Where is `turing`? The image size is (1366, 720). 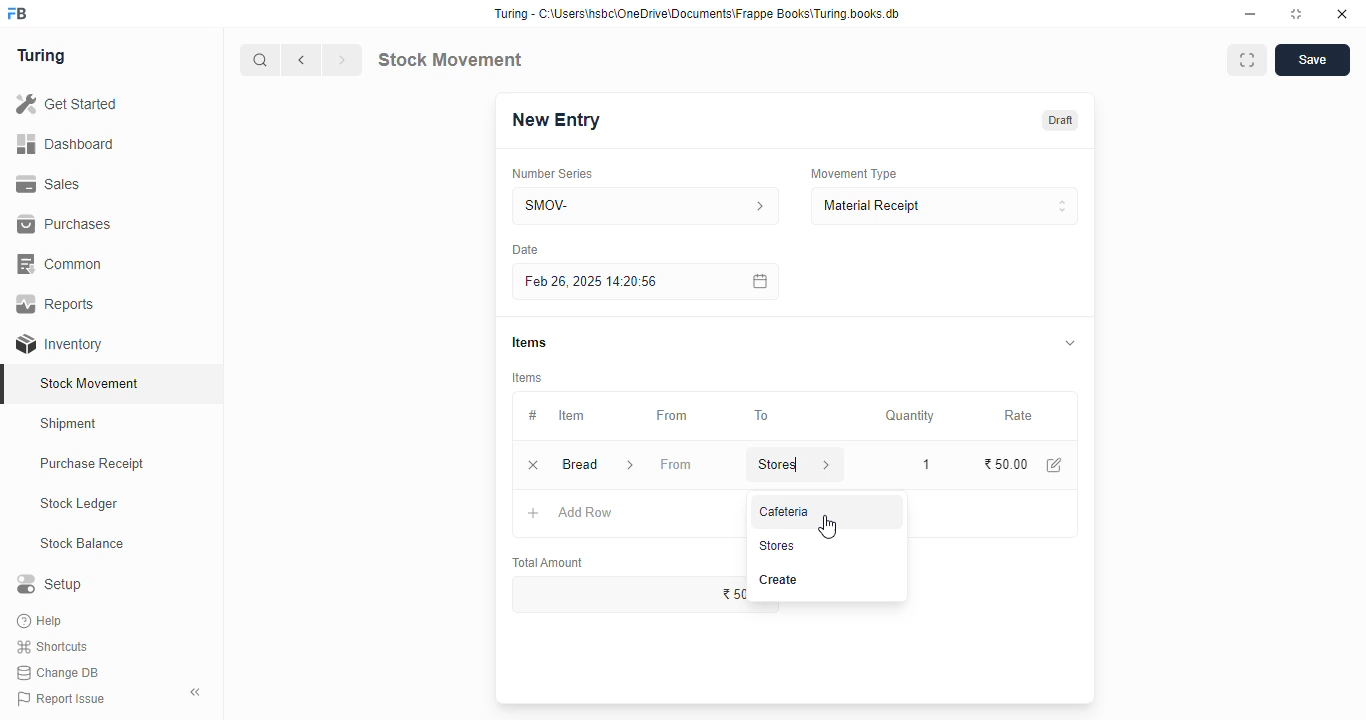
turing is located at coordinates (42, 56).